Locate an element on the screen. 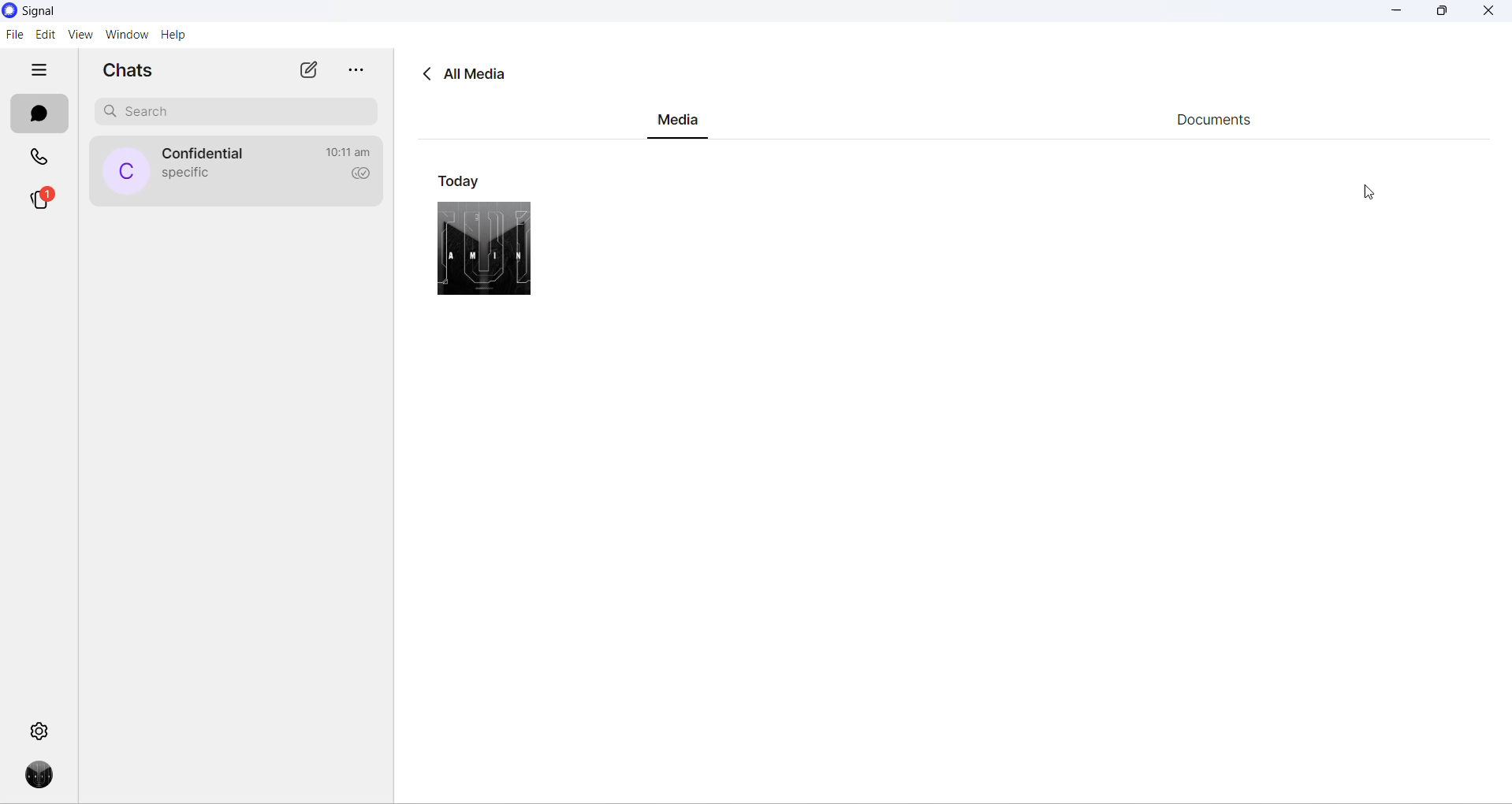  chats heading is located at coordinates (130, 73).